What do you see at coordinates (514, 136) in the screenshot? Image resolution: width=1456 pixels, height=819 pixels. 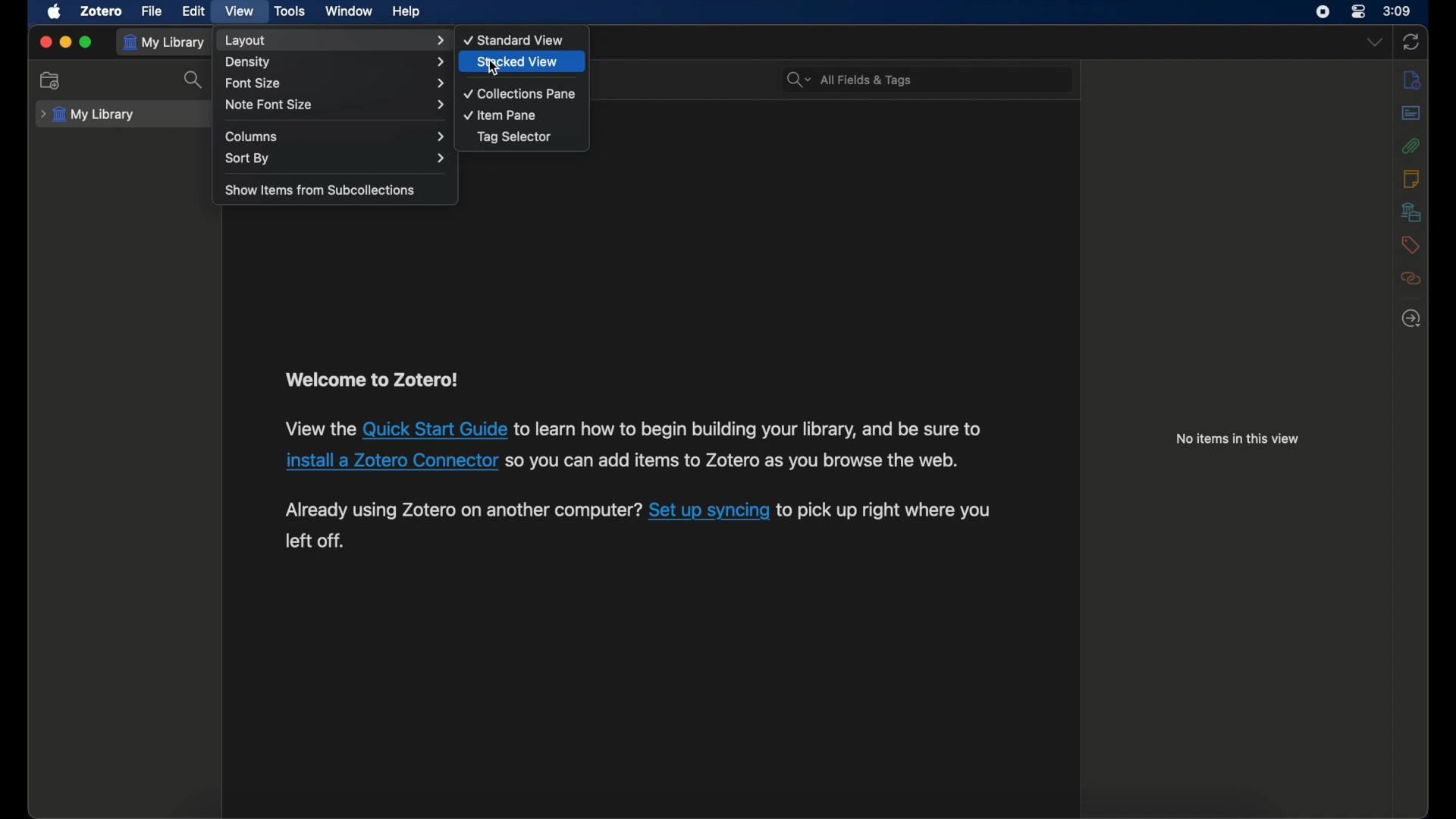 I see `tag selector` at bounding box center [514, 136].